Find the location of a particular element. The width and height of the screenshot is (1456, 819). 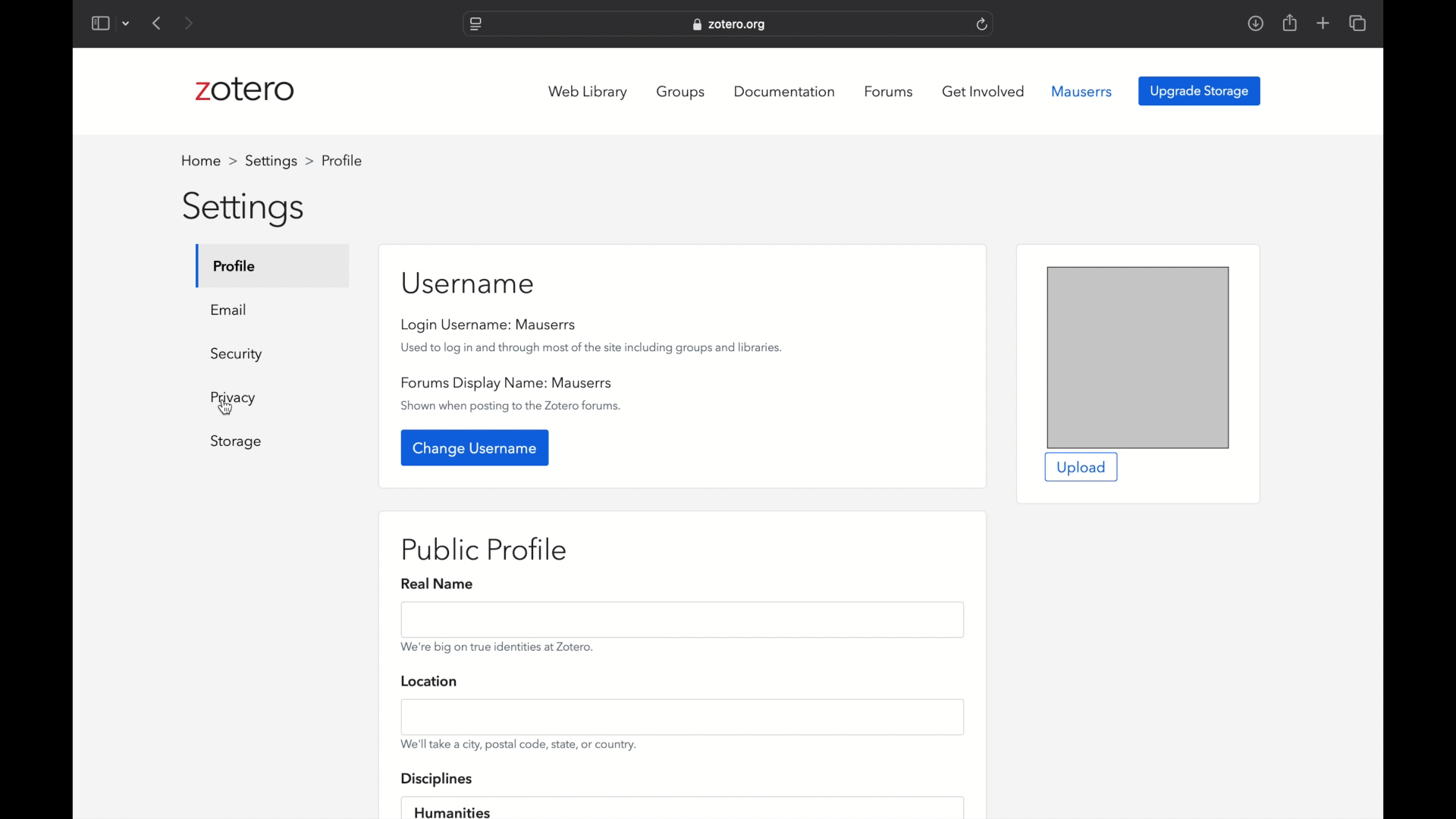

we're big on true identities at zotero is located at coordinates (497, 646).